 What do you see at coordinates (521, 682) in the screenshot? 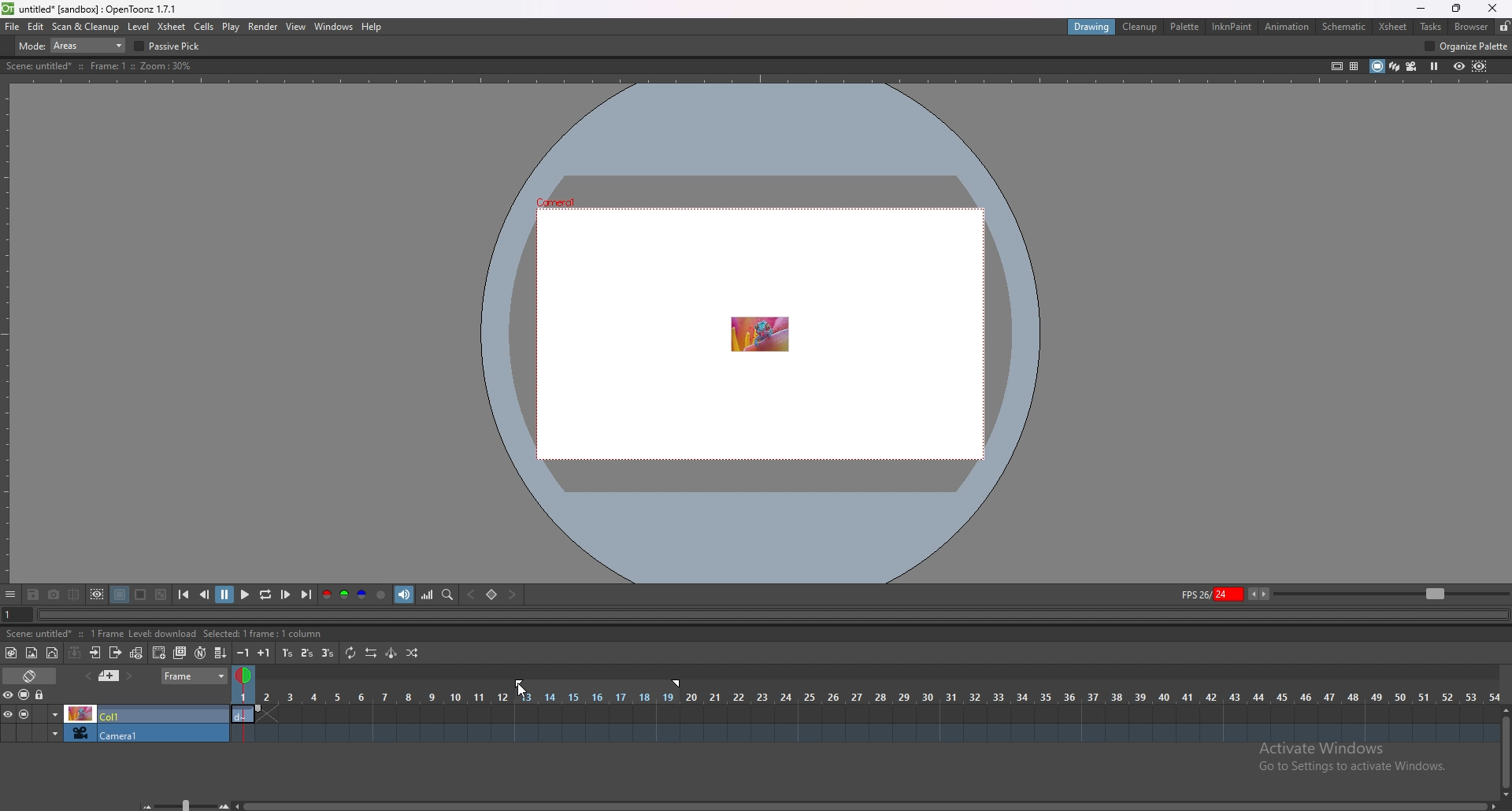
I see `start frame` at bounding box center [521, 682].